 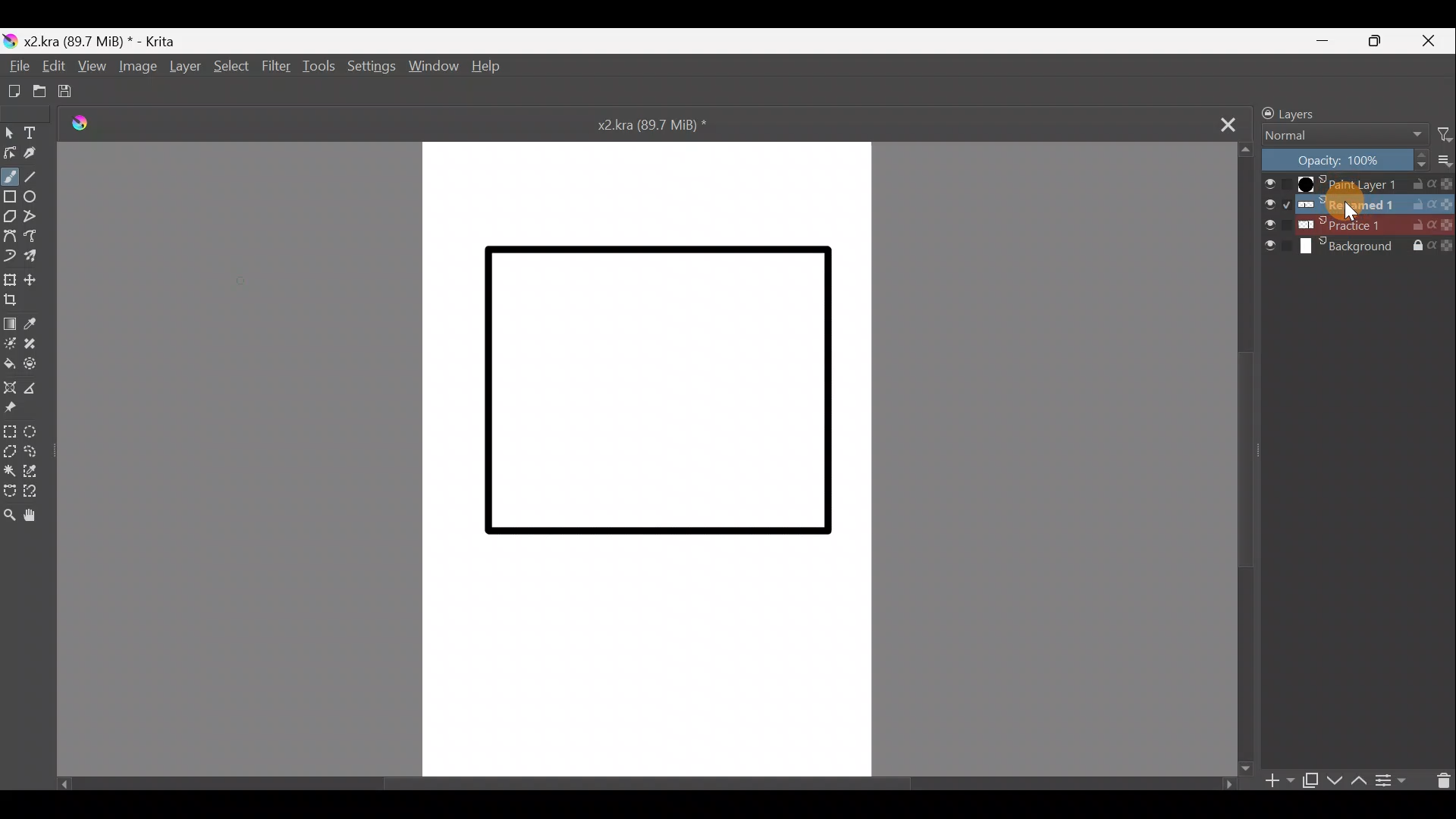 What do you see at coordinates (52, 68) in the screenshot?
I see `Edit` at bounding box center [52, 68].